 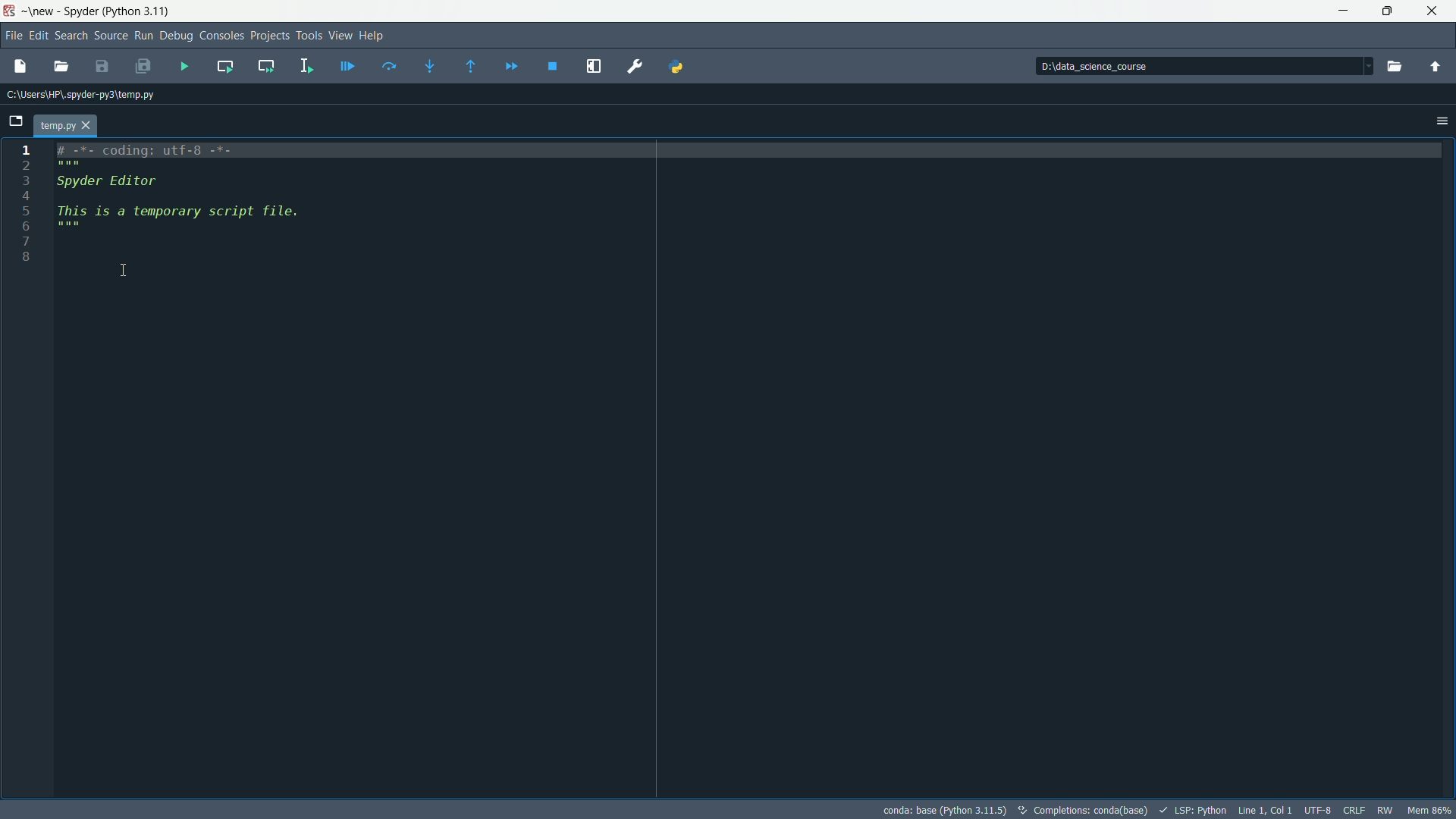 I want to click on rw, so click(x=1386, y=809).